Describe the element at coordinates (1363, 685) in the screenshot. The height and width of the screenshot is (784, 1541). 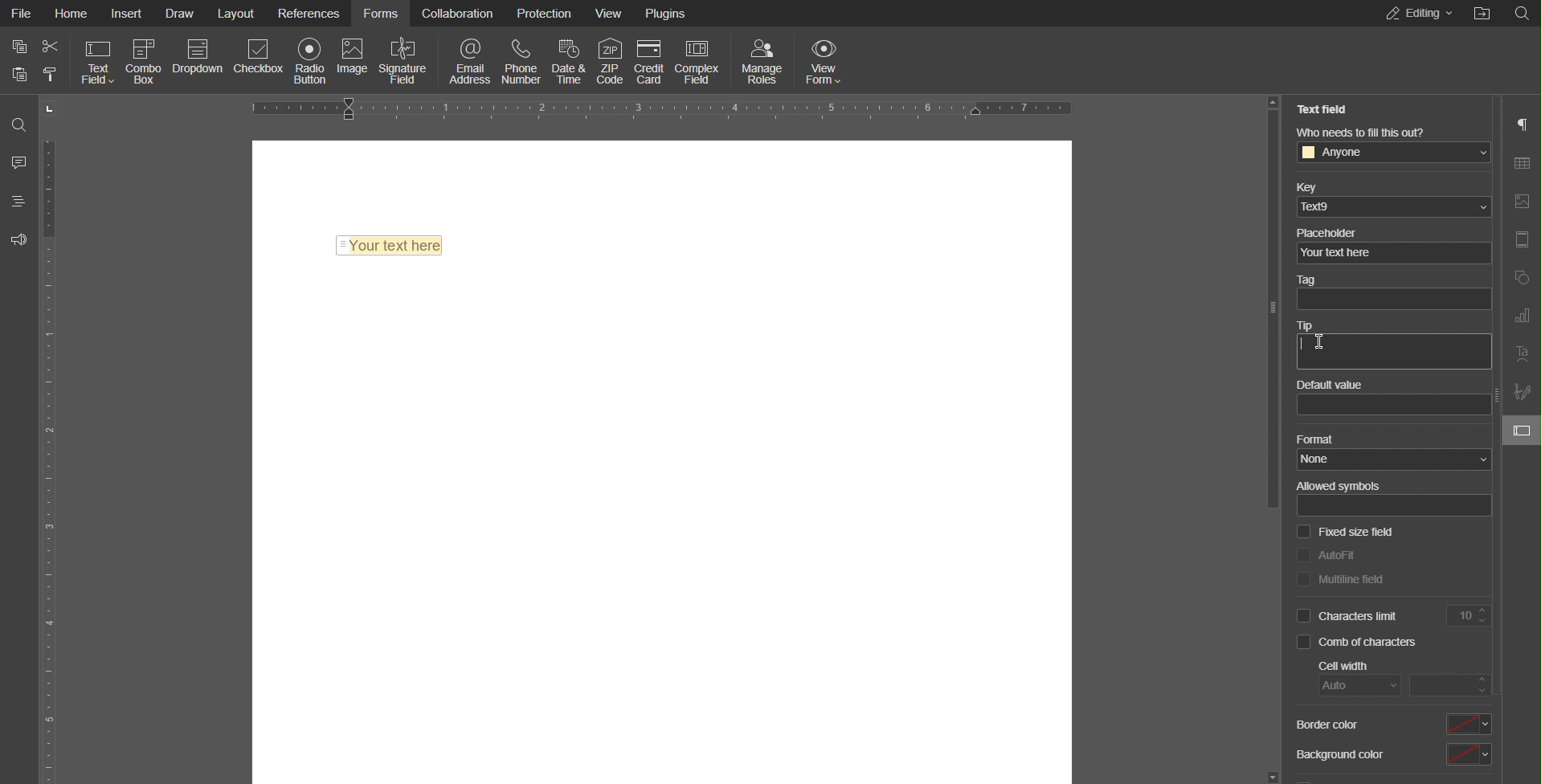
I see `auto` at that location.